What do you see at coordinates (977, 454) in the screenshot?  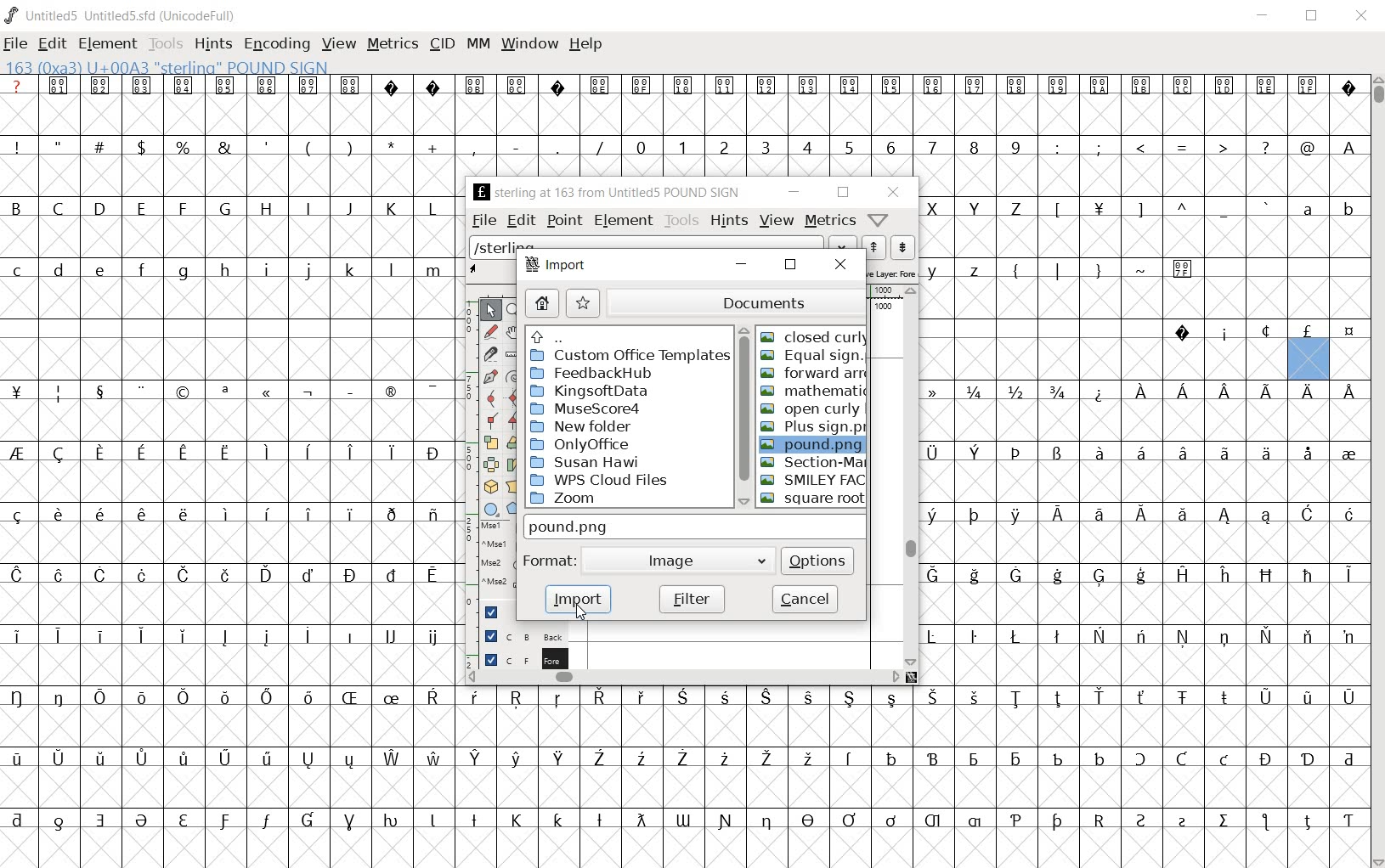 I see `Symbol` at bounding box center [977, 454].